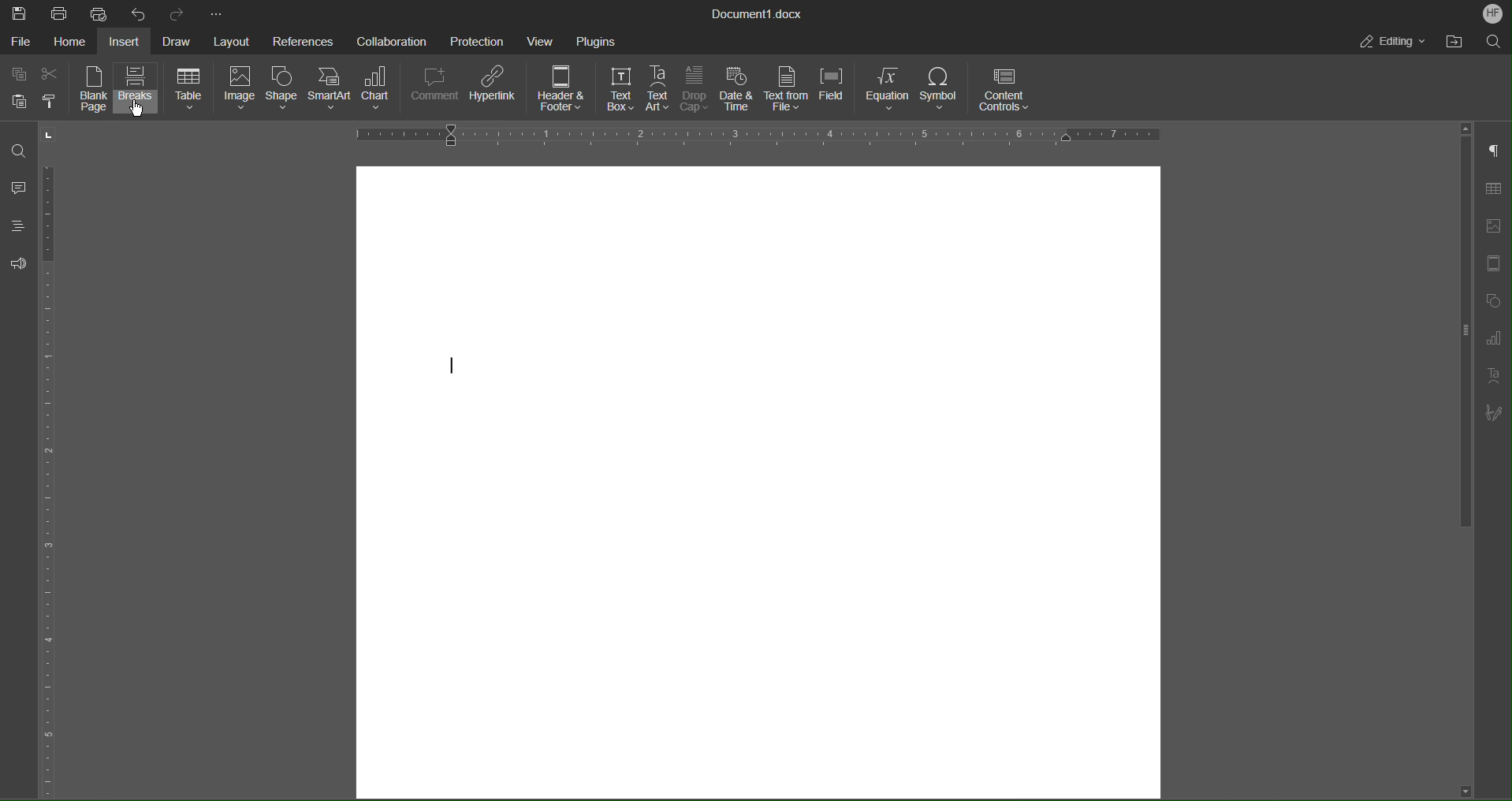  What do you see at coordinates (136, 111) in the screenshot?
I see `cursor` at bounding box center [136, 111].